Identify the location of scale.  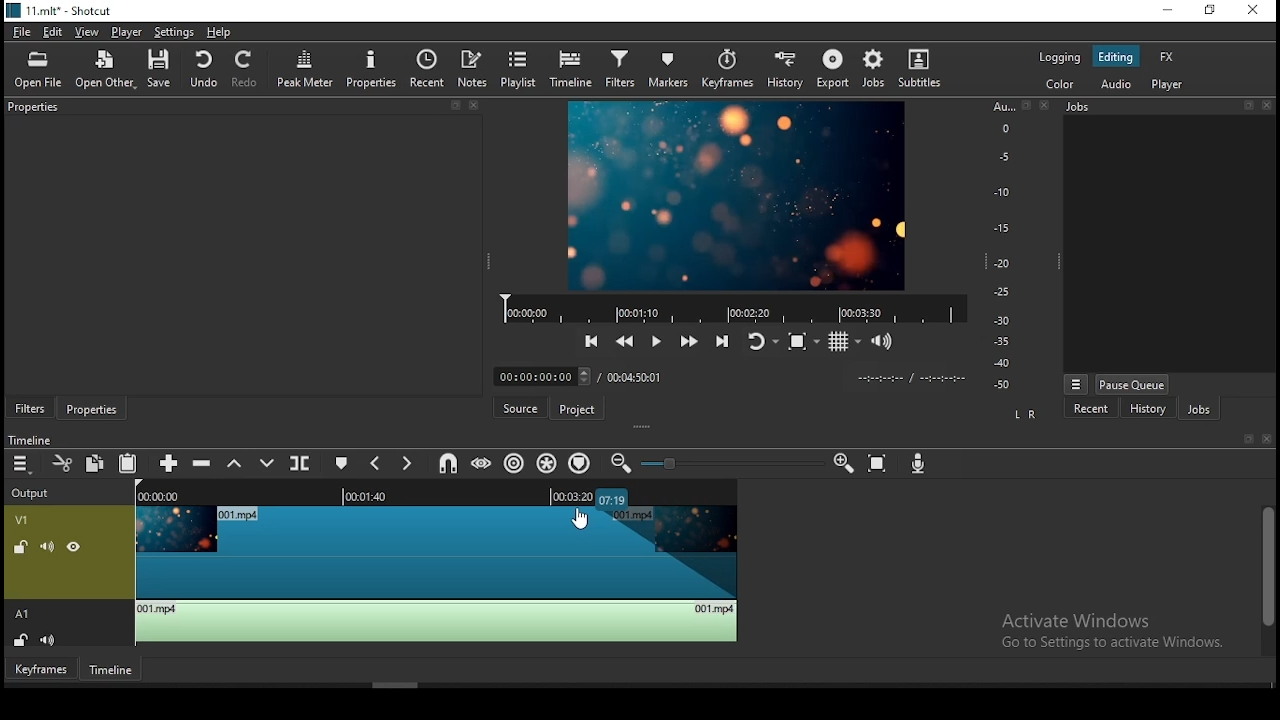
(1003, 248).